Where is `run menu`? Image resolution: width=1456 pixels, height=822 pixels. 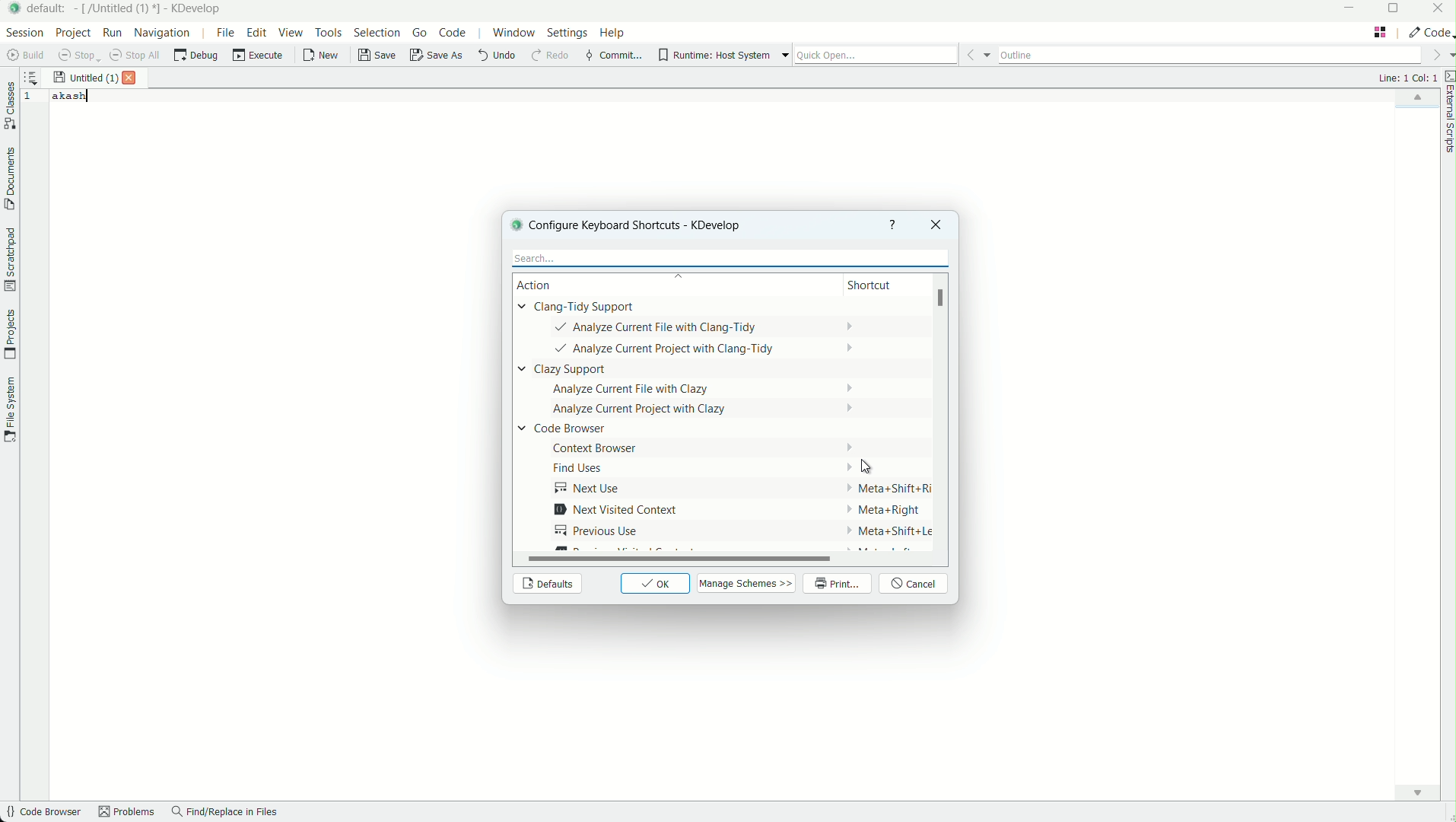
run menu is located at coordinates (113, 33).